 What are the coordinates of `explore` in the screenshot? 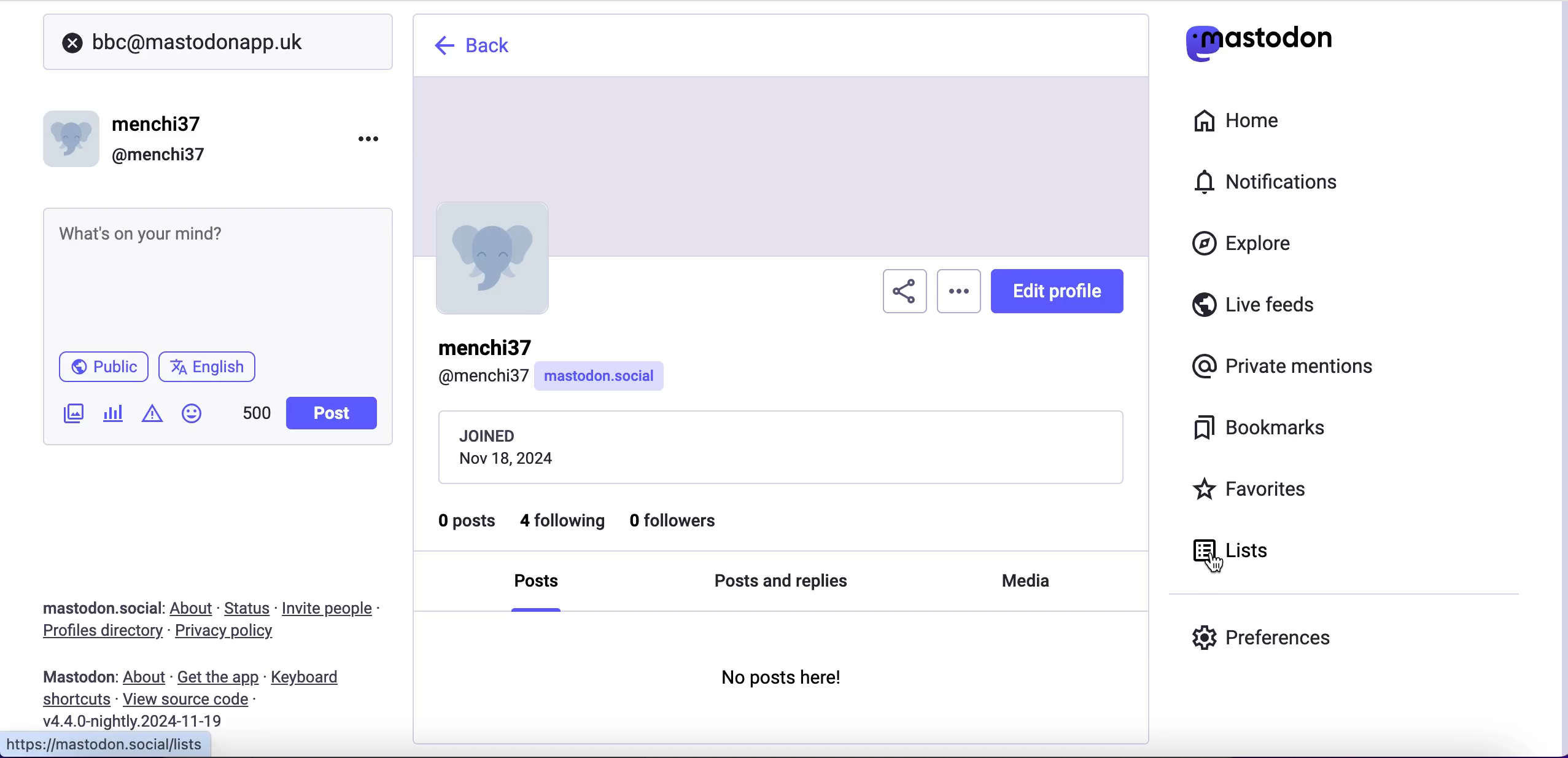 It's located at (1254, 244).